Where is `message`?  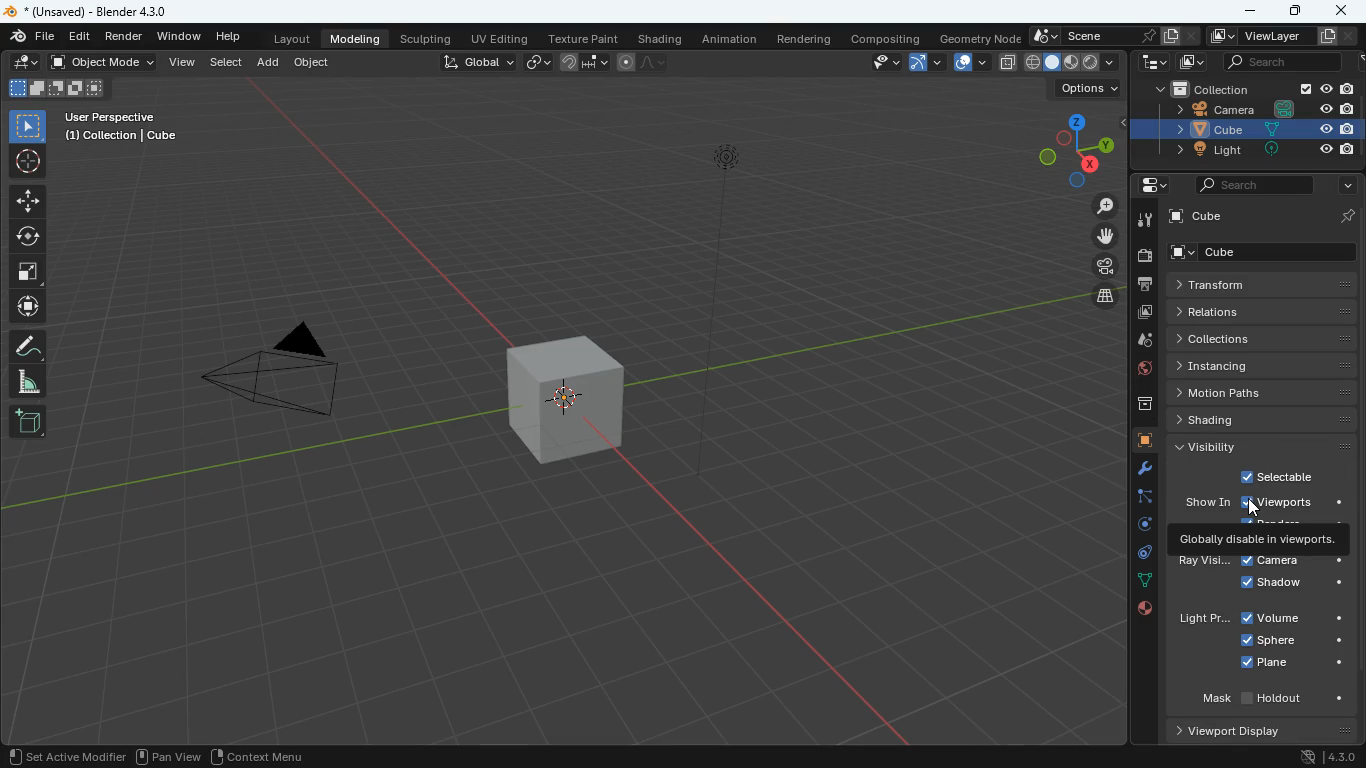 message is located at coordinates (1259, 539).